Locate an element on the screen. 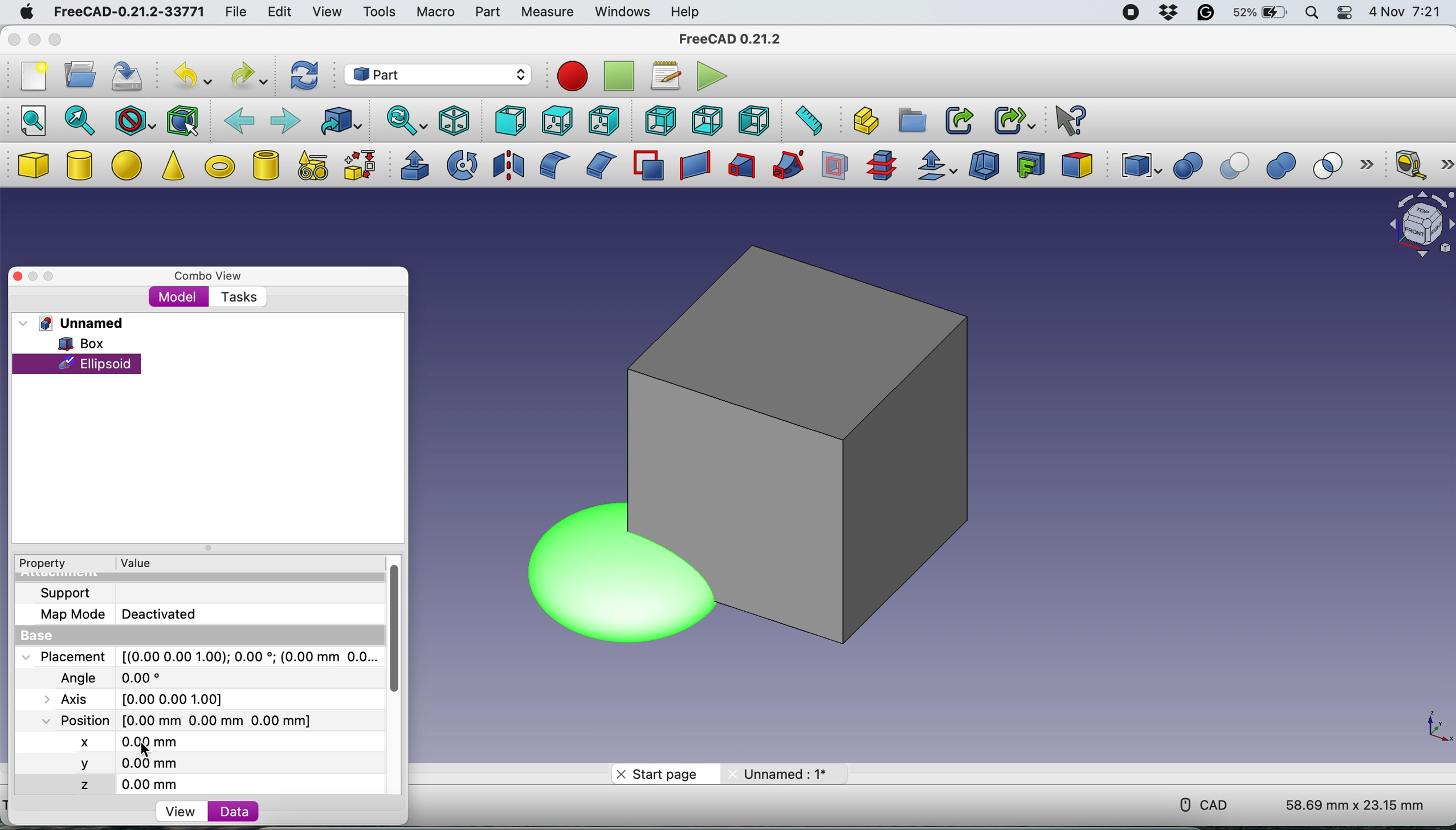 This screenshot has height=830, width=1456. cursor is located at coordinates (143, 750).